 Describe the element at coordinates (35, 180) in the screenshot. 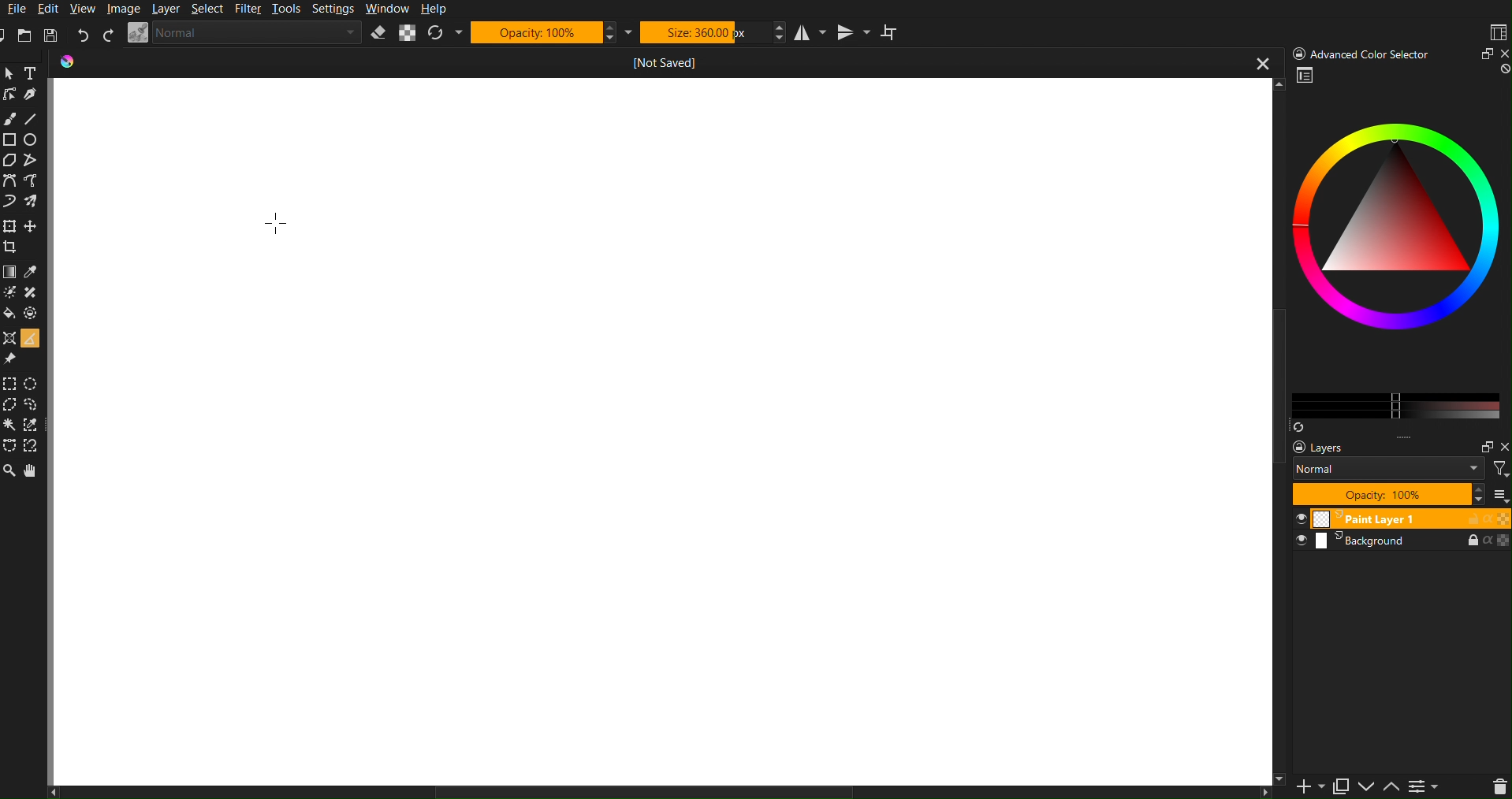

I see `Bezier Curve` at that location.